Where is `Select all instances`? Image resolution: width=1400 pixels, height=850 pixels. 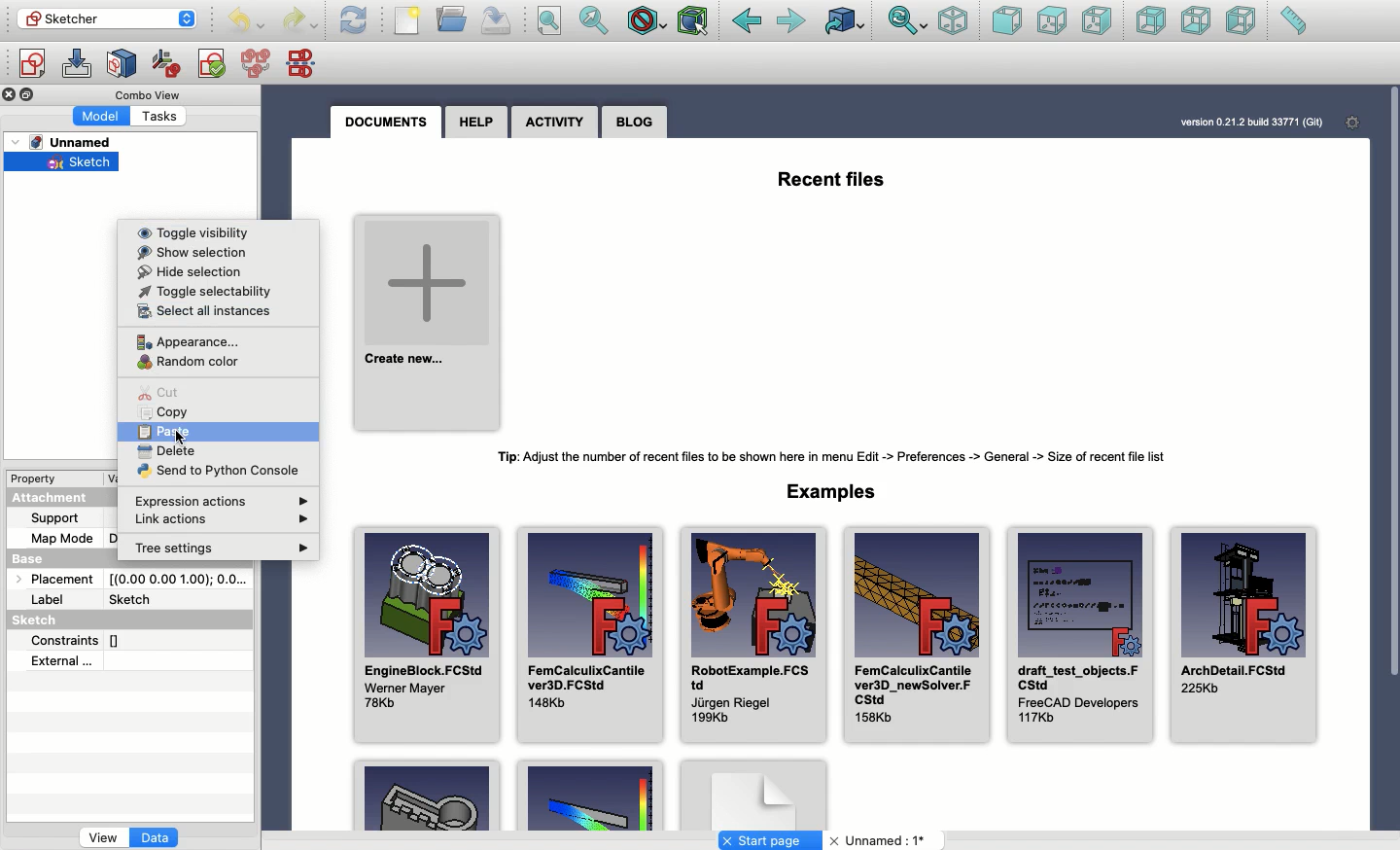 Select all instances is located at coordinates (200, 311).